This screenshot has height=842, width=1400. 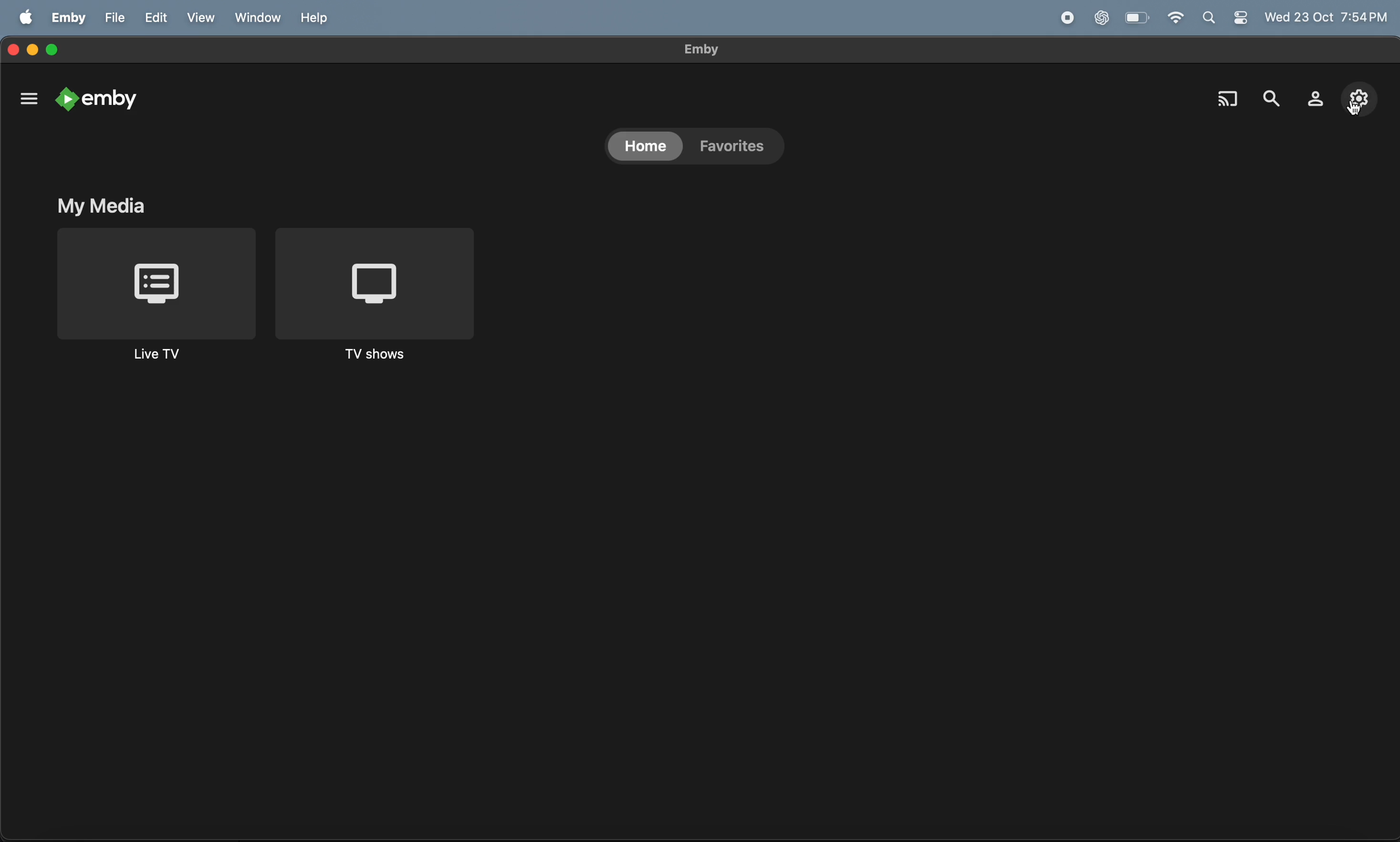 What do you see at coordinates (27, 99) in the screenshot?
I see `options` at bounding box center [27, 99].